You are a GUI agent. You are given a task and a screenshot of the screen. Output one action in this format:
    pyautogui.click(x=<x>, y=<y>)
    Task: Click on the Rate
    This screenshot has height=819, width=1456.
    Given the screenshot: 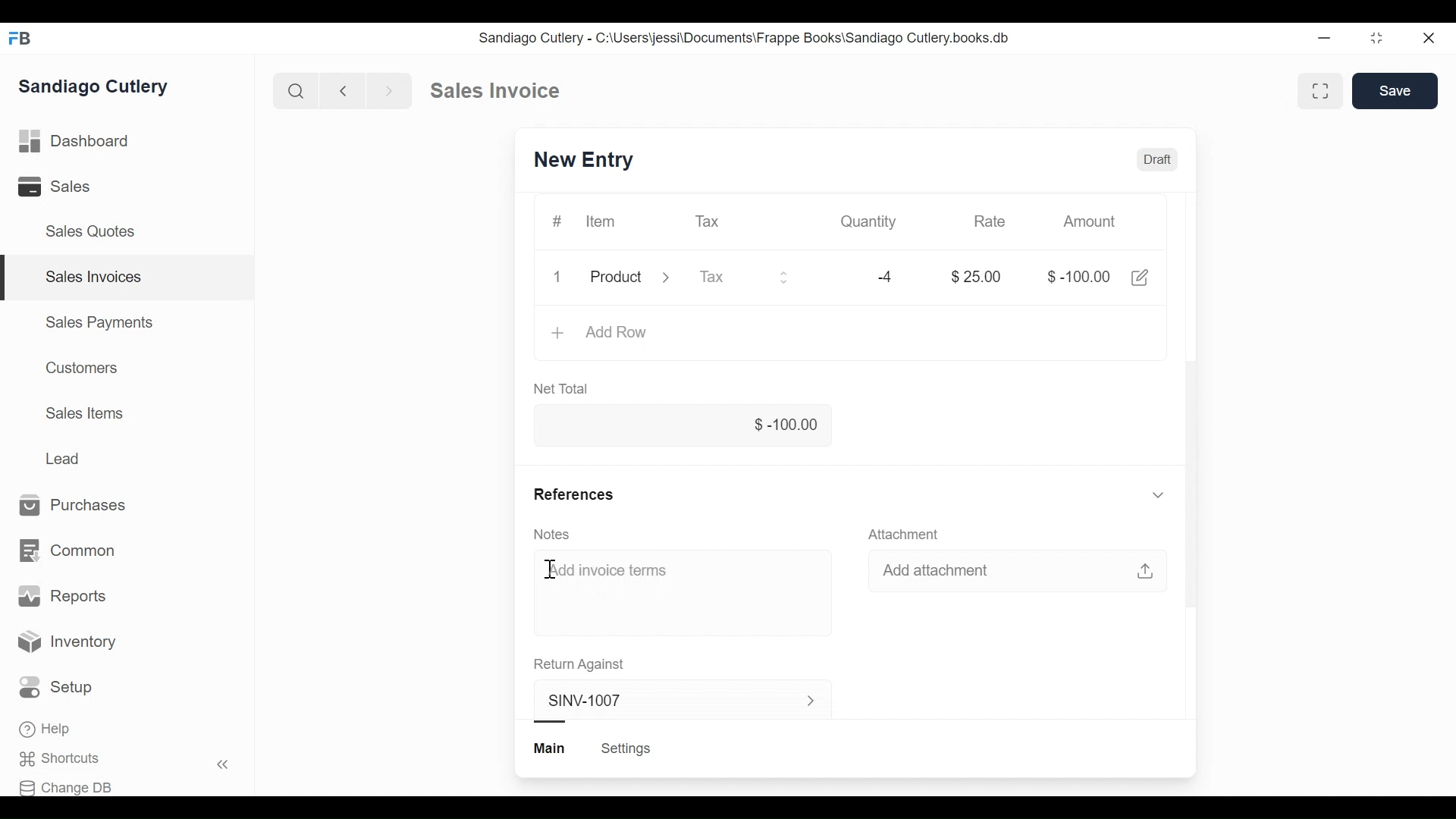 What is the action you would take?
    pyautogui.click(x=989, y=221)
    